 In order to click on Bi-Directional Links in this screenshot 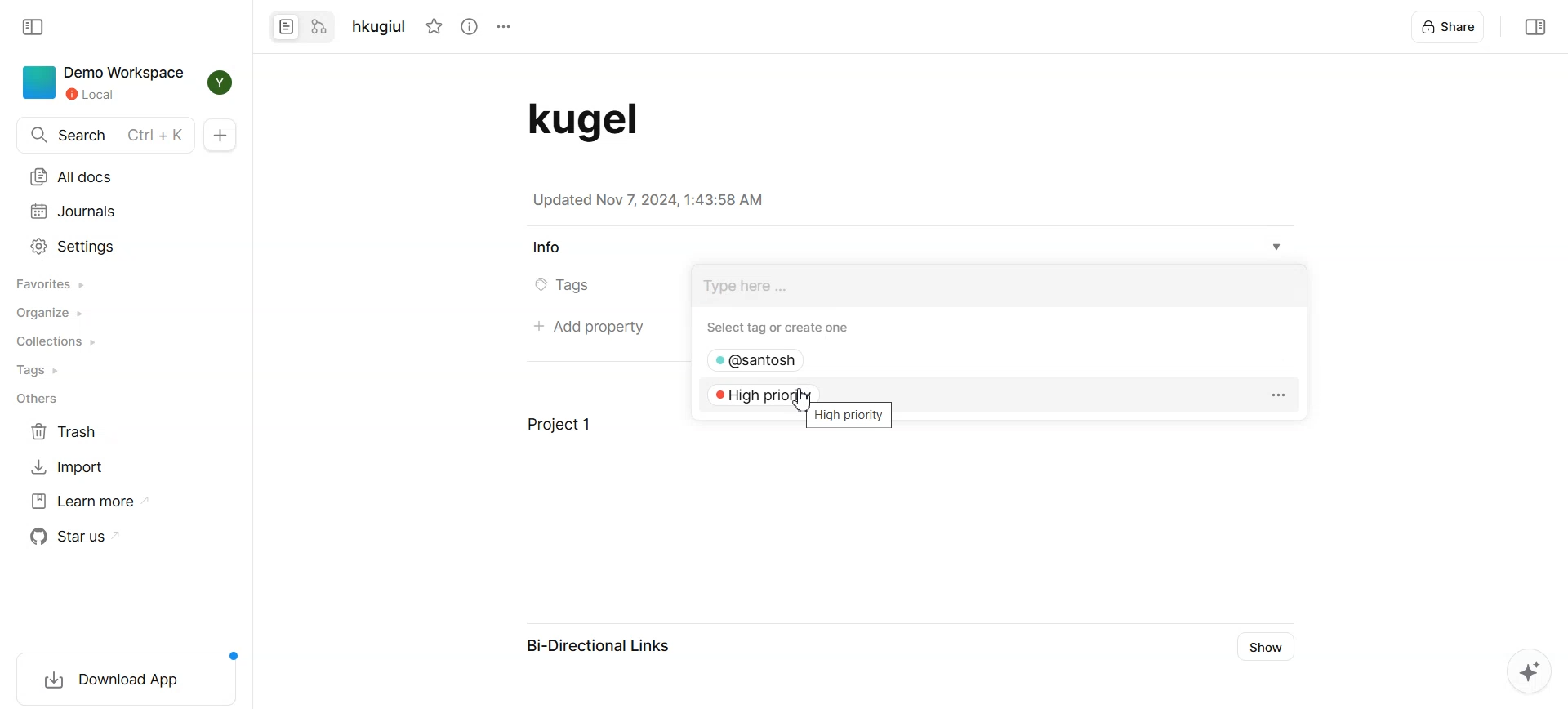, I will do `click(606, 645)`.